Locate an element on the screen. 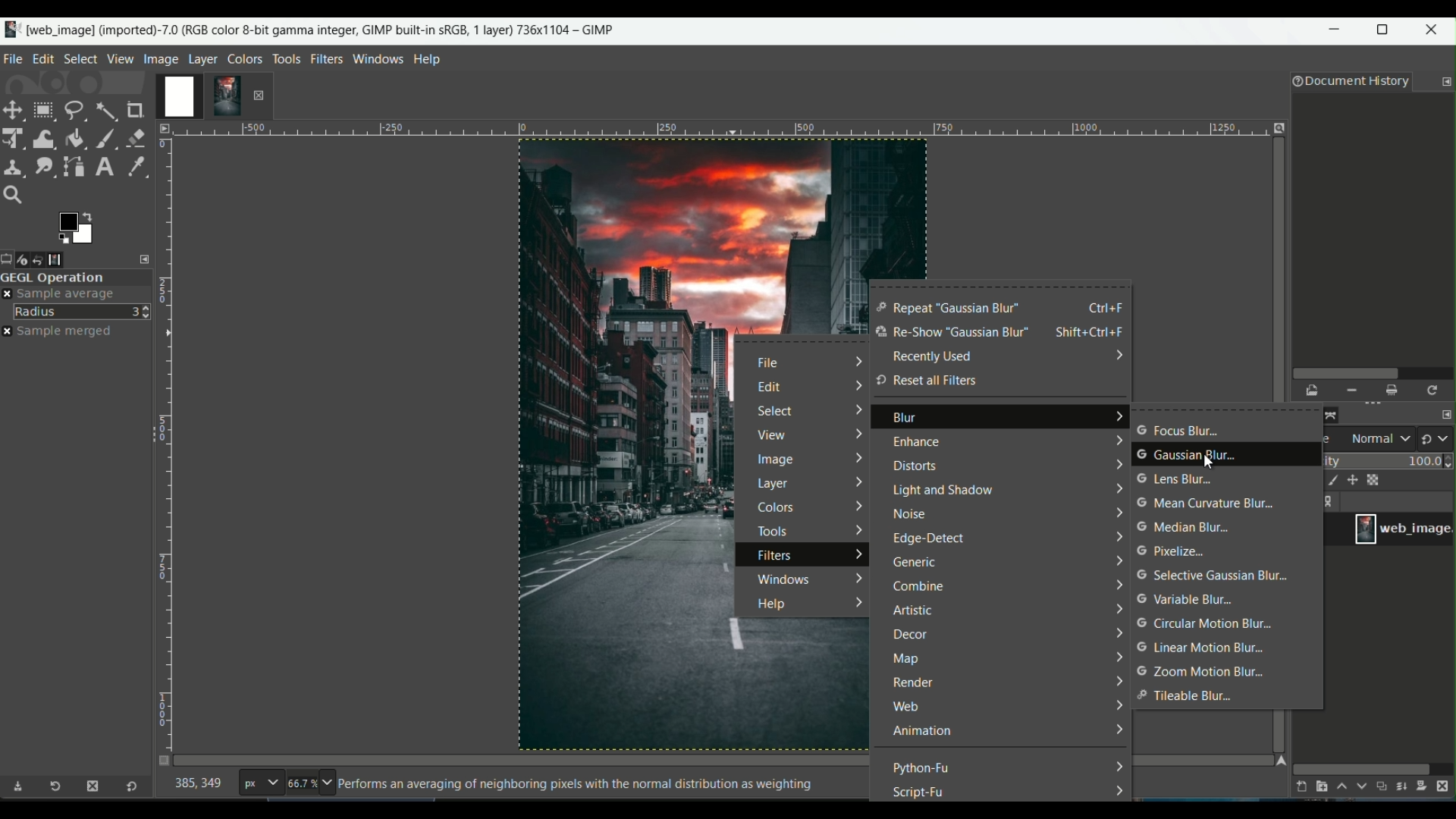 Image resolution: width=1456 pixels, height=819 pixels. guassian blur is located at coordinates (1188, 456).